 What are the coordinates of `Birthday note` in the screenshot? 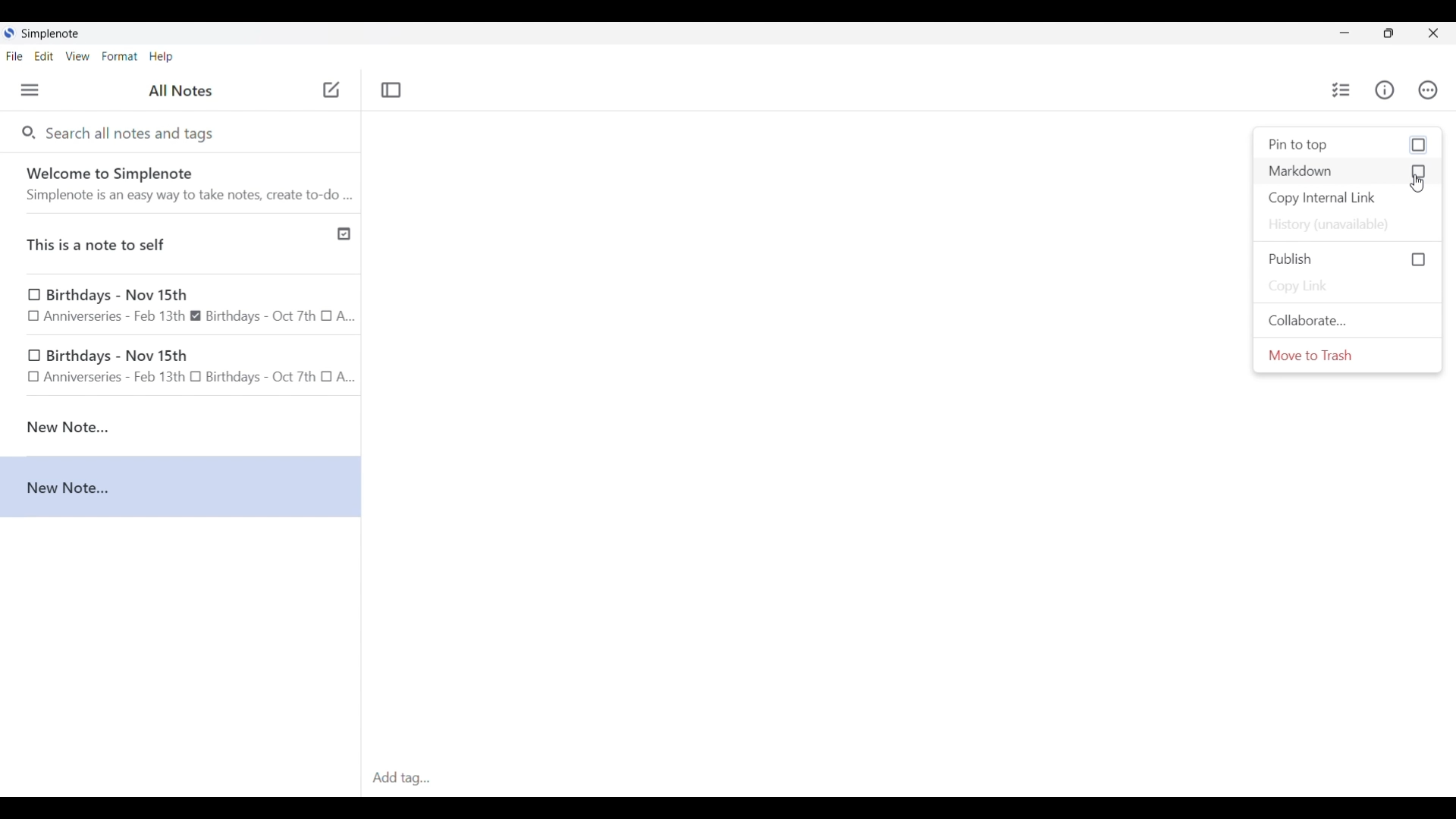 It's located at (181, 306).